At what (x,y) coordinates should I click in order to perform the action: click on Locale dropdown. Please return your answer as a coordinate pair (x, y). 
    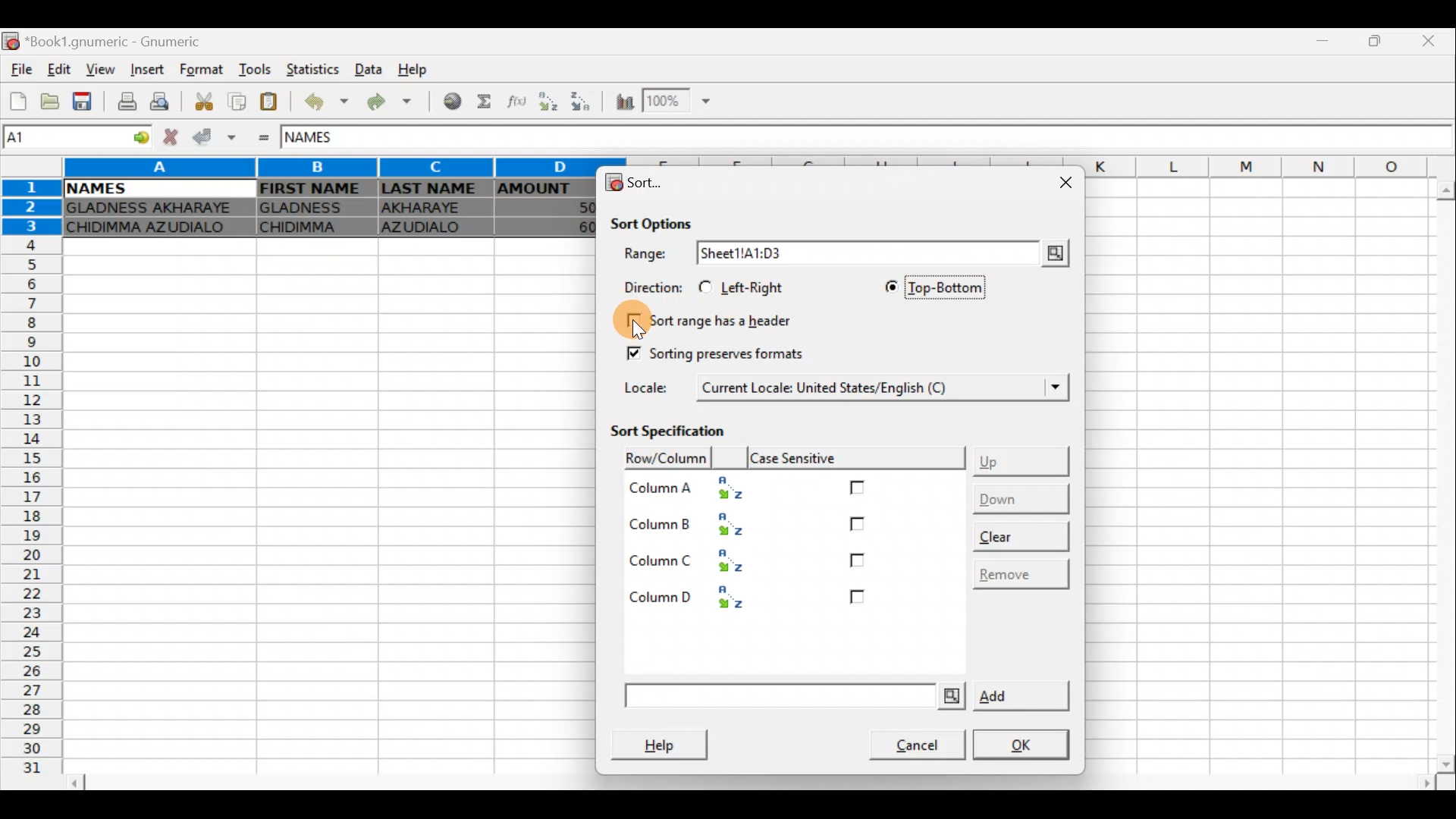
    Looking at the image, I should click on (1047, 388).